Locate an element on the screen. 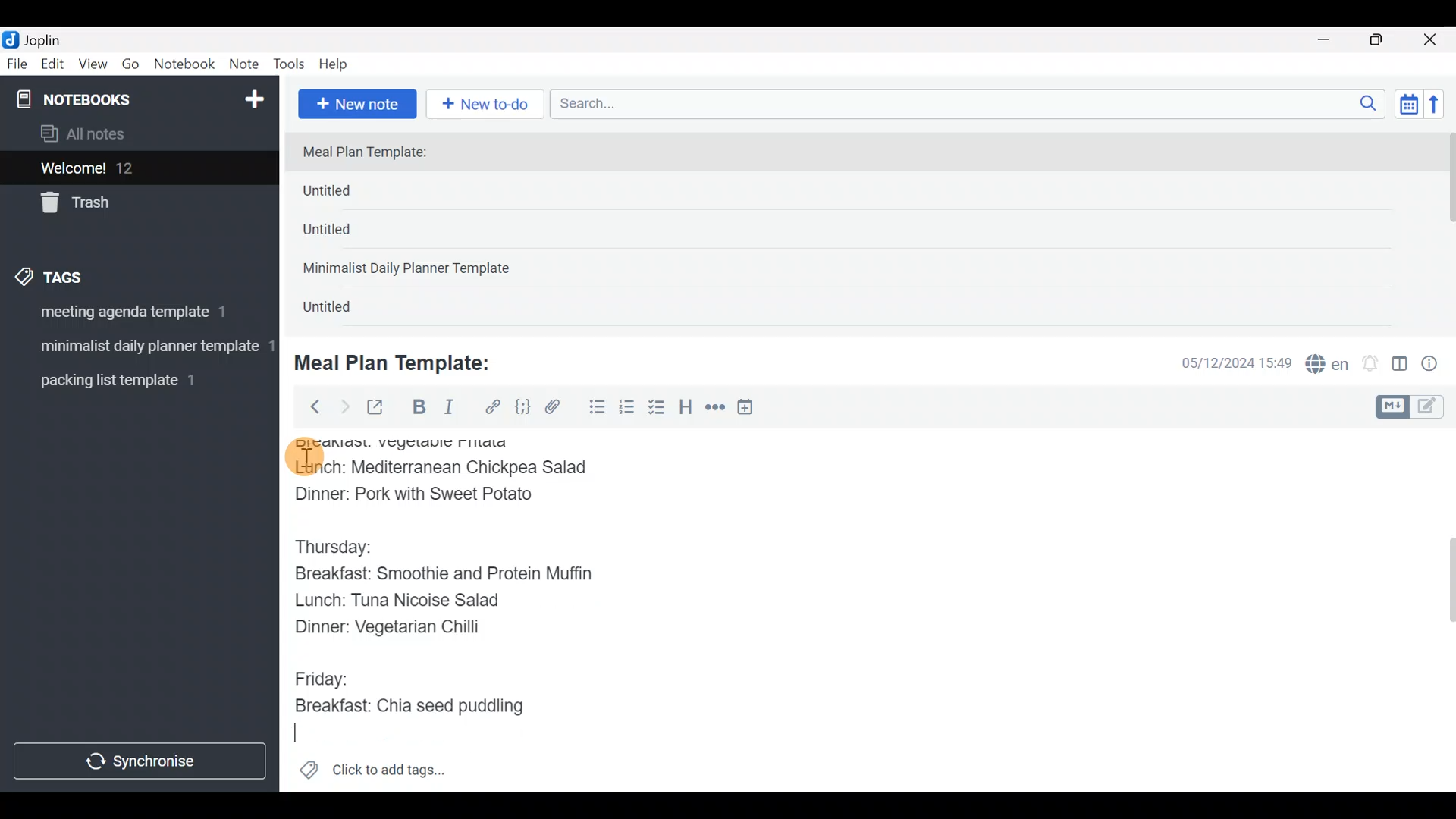  New to-do is located at coordinates (488, 105).